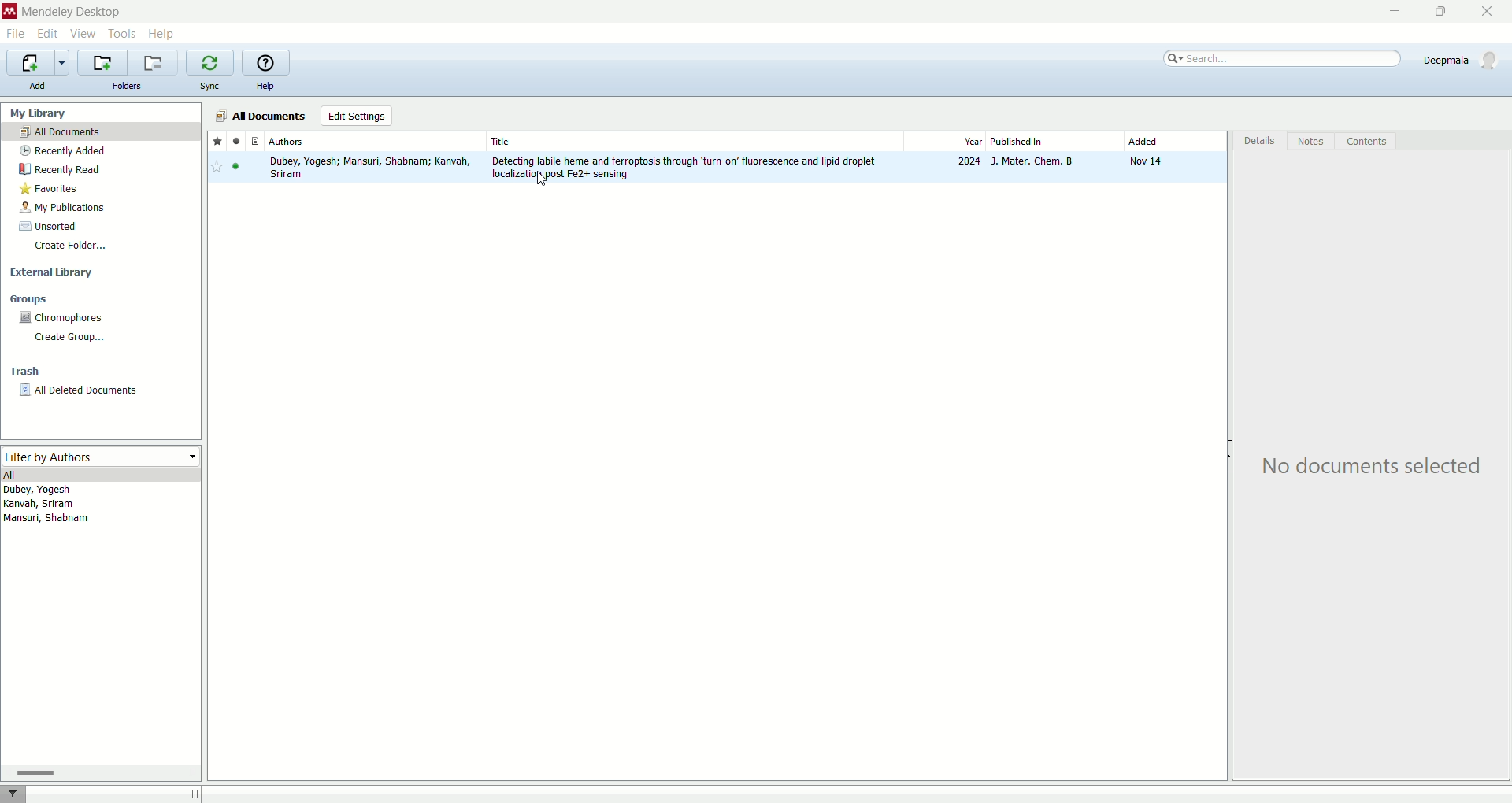 This screenshot has height=803, width=1512. I want to click on file, so click(15, 35).